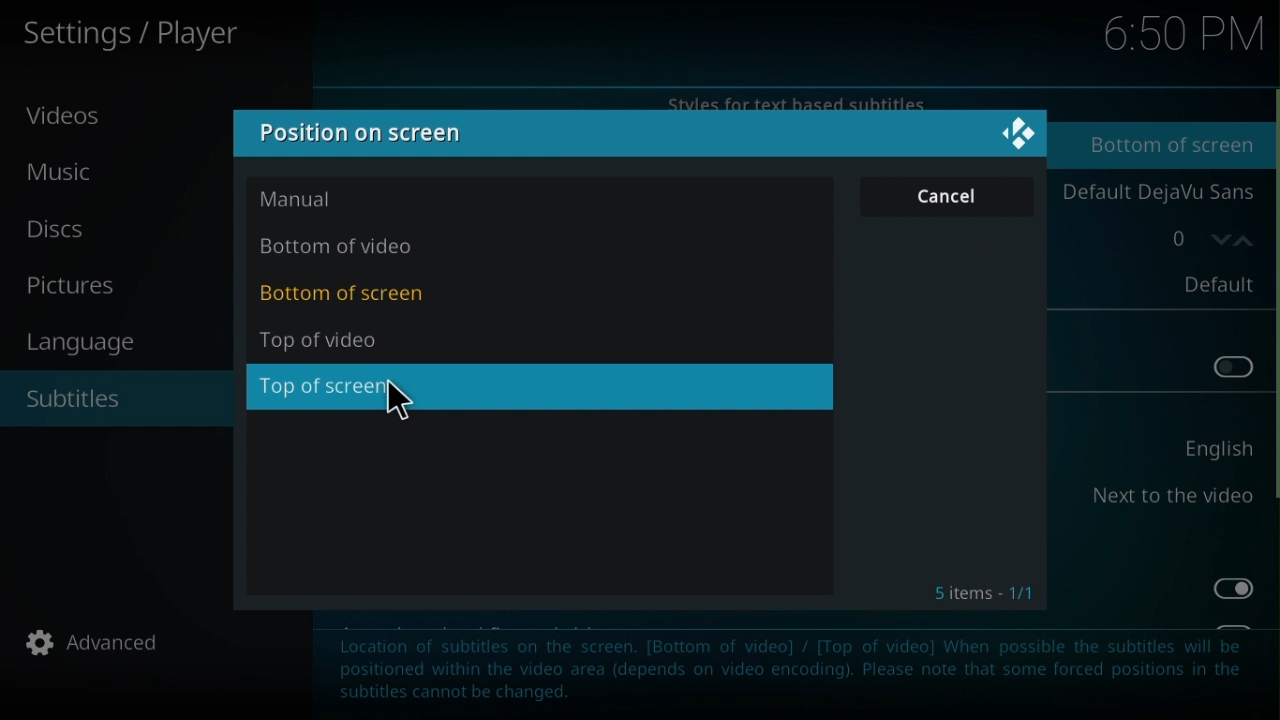  What do you see at coordinates (1155, 194) in the screenshot?
I see `Default DejaVu Sans` at bounding box center [1155, 194].